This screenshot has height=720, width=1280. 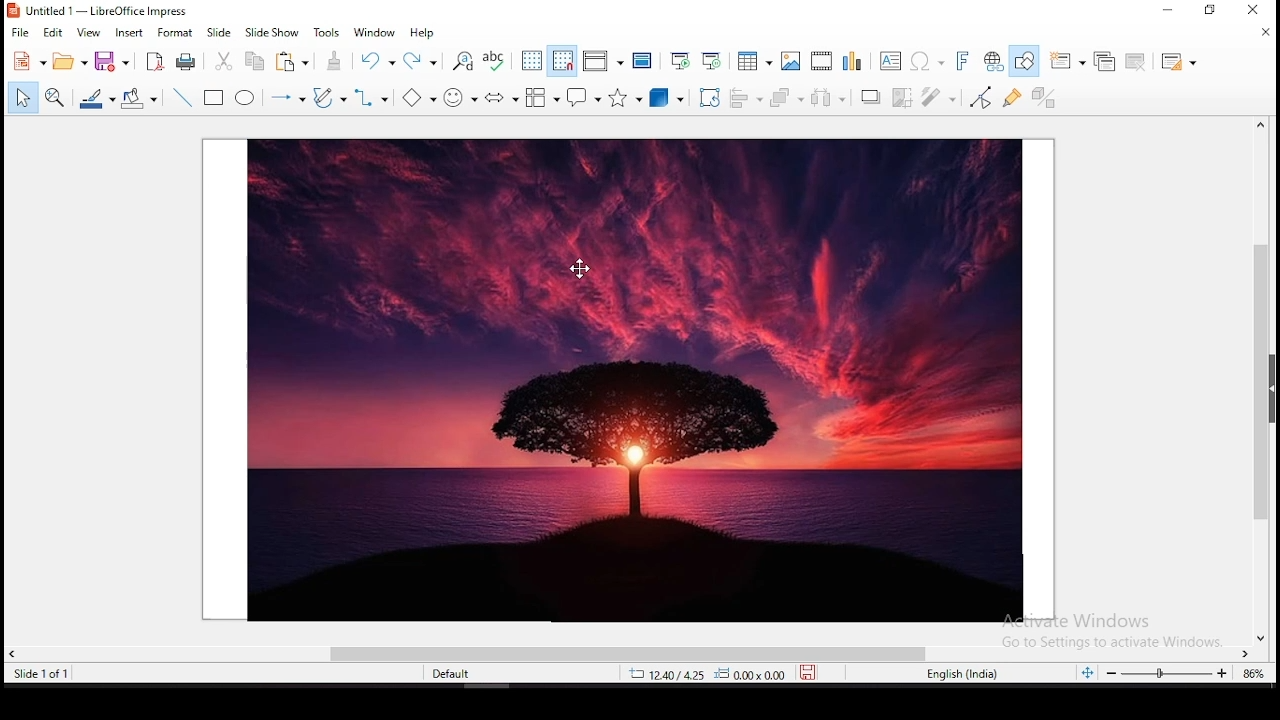 What do you see at coordinates (1045, 95) in the screenshot?
I see `toggle extrusion` at bounding box center [1045, 95].